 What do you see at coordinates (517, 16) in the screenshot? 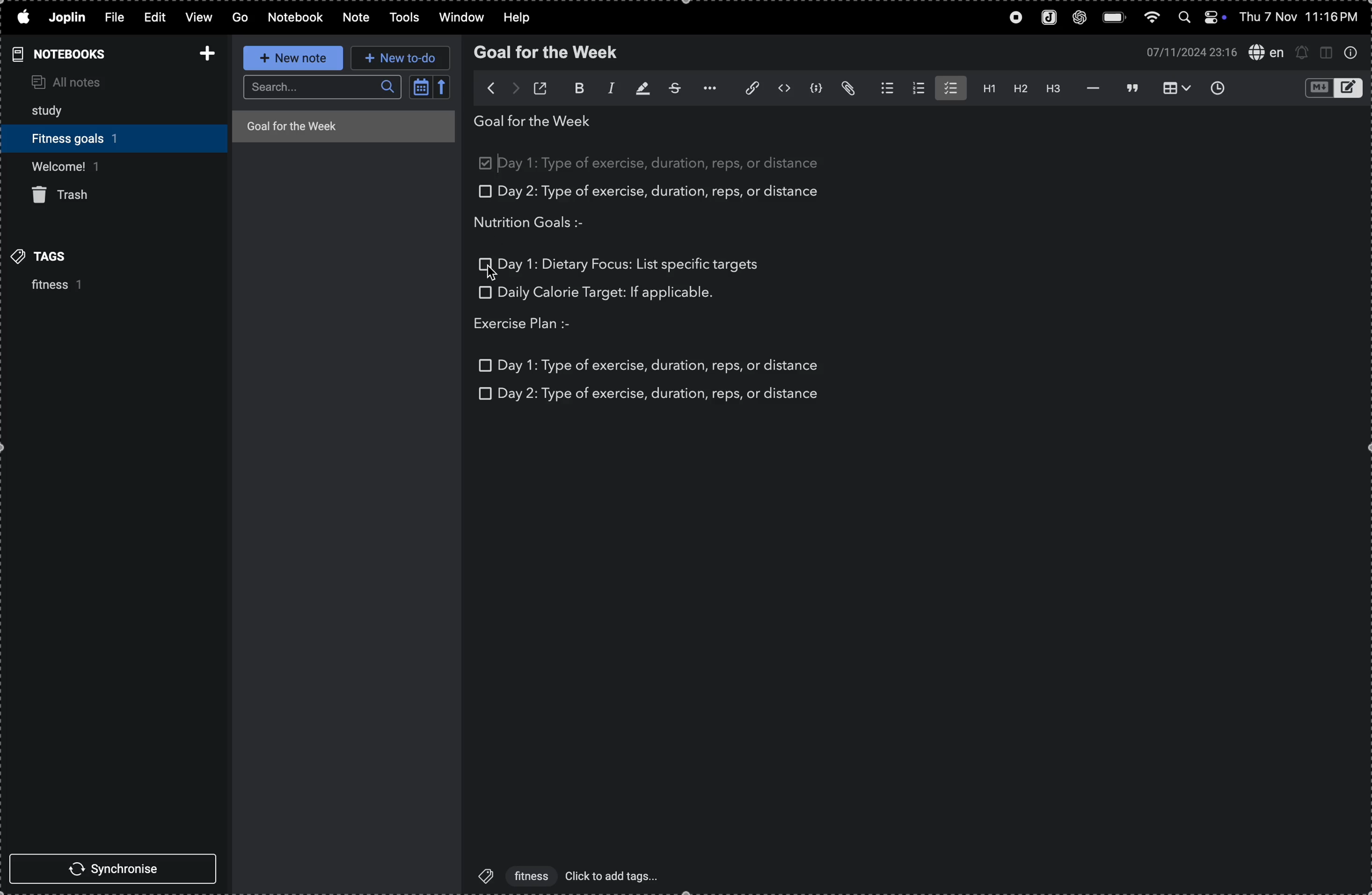
I see `help` at bounding box center [517, 16].